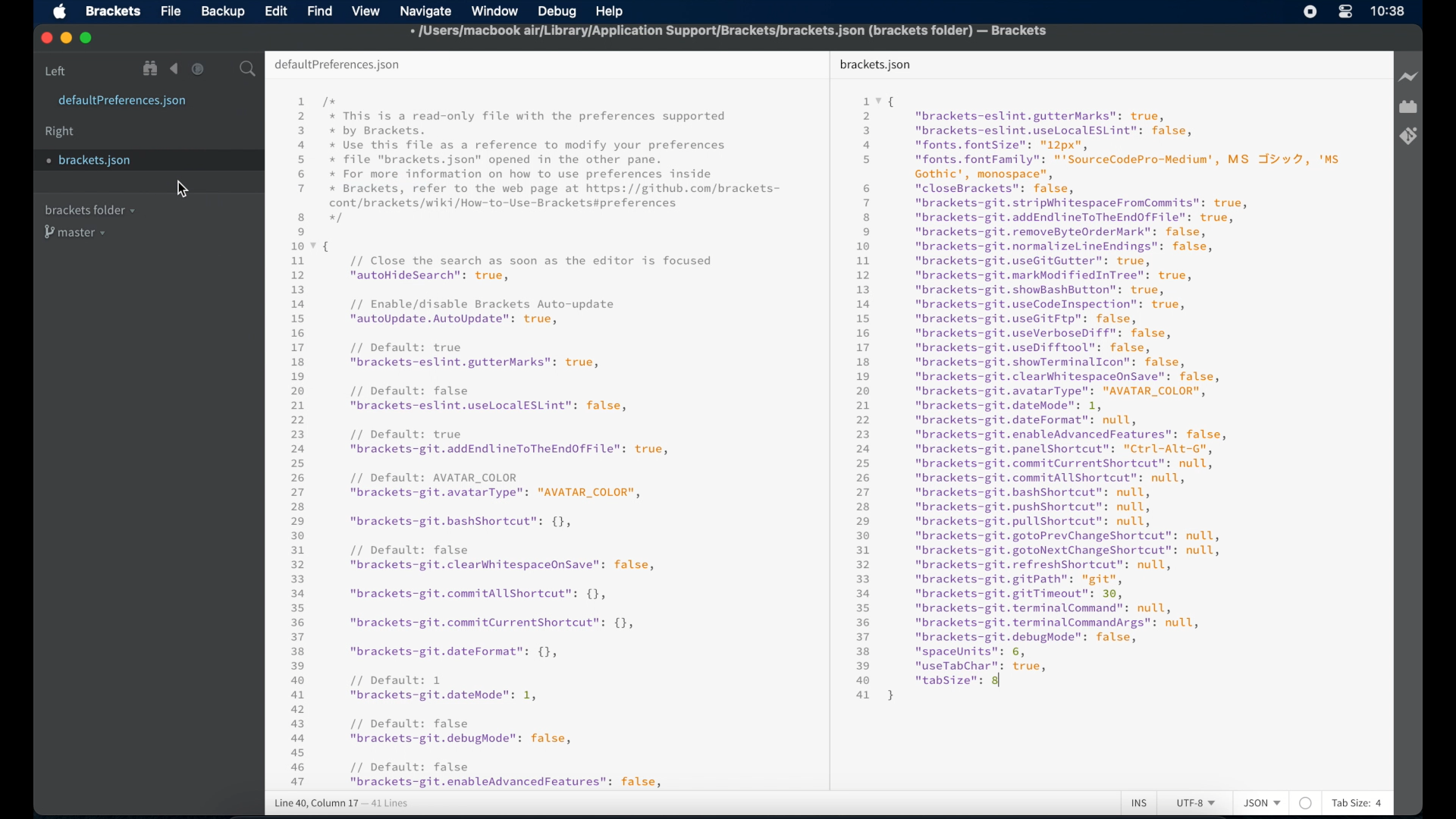 Image resolution: width=1456 pixels, height=819 pixels. I want to click on navigate forward, so click(198, 69).